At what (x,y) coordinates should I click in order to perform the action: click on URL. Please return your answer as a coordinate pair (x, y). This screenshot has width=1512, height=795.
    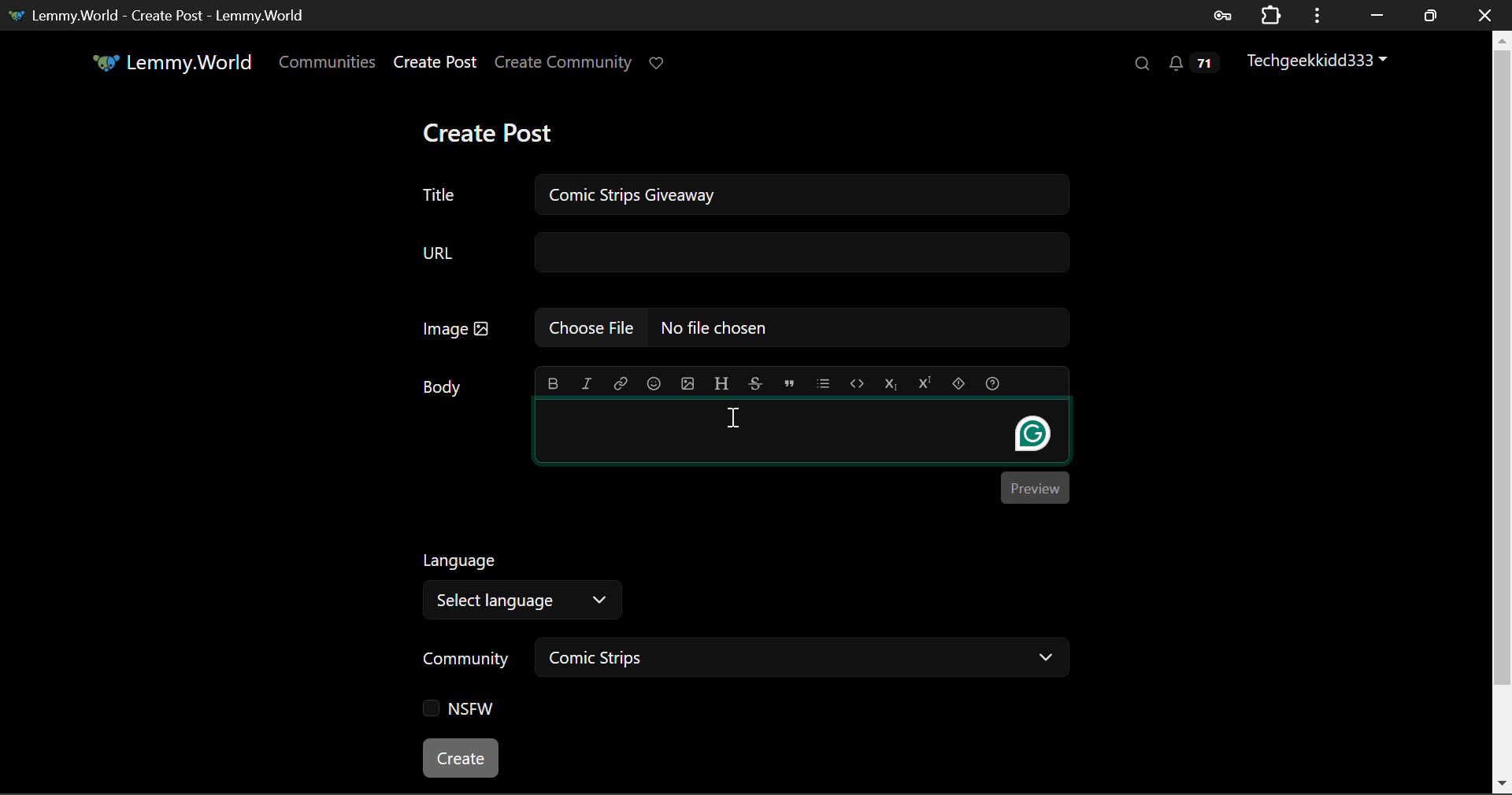
    Looking at the image, I should click on (743, 253).